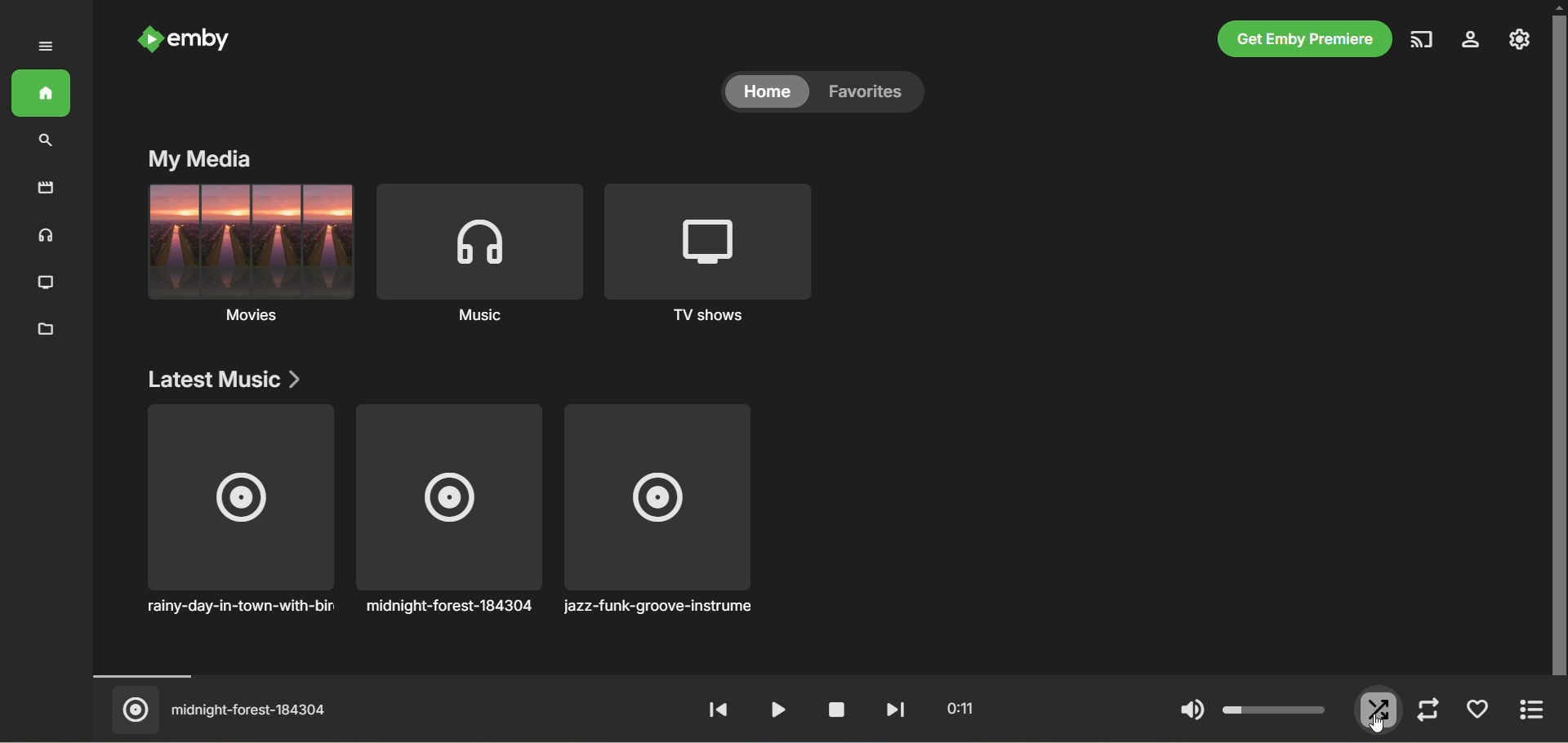  What do you see at coordinates (807, 676) in the screenshot?
I see `timeline` at bounding box center [807, 676].